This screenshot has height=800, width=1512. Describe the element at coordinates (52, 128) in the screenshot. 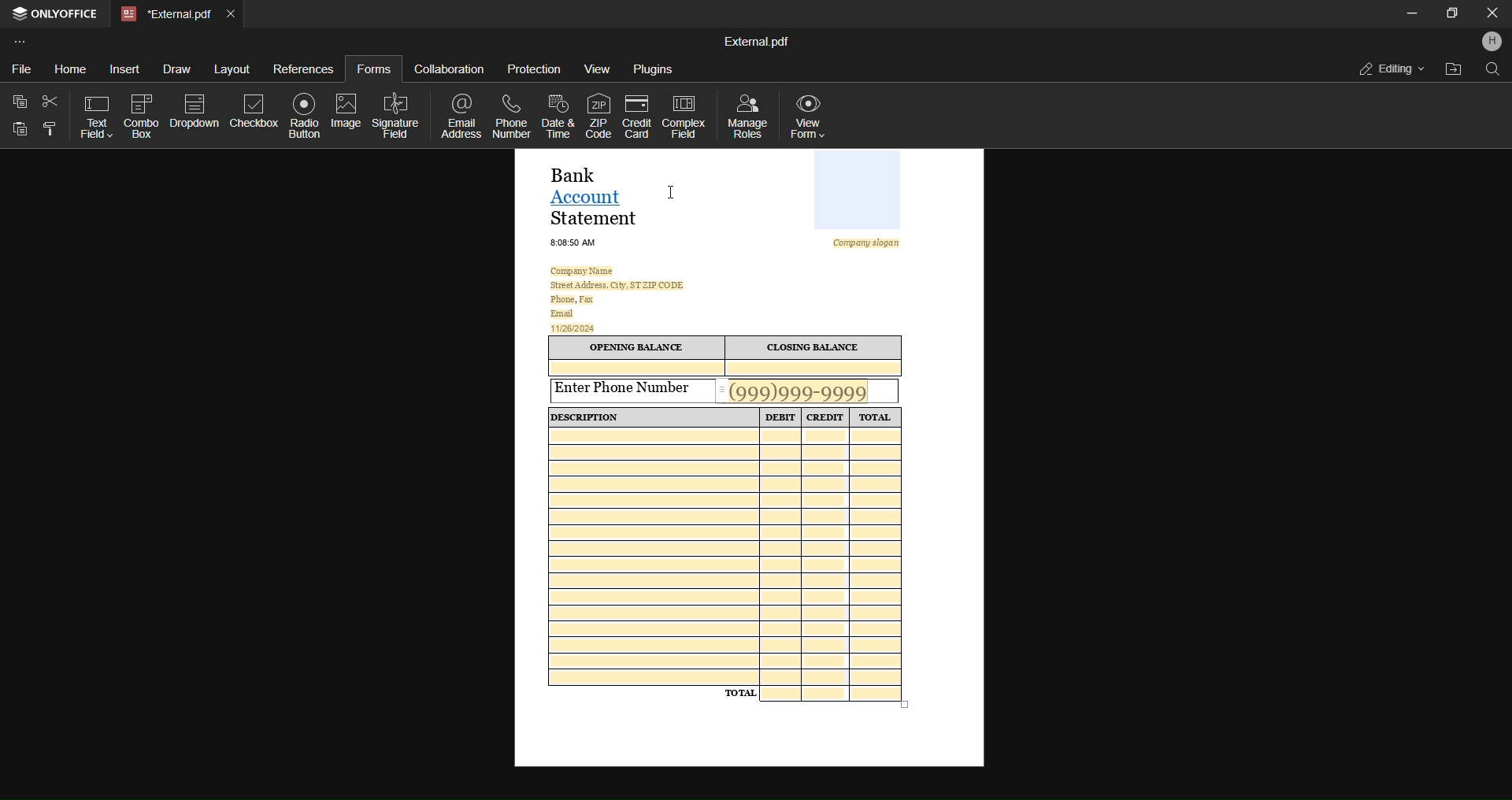

I see `copy style` at that location.